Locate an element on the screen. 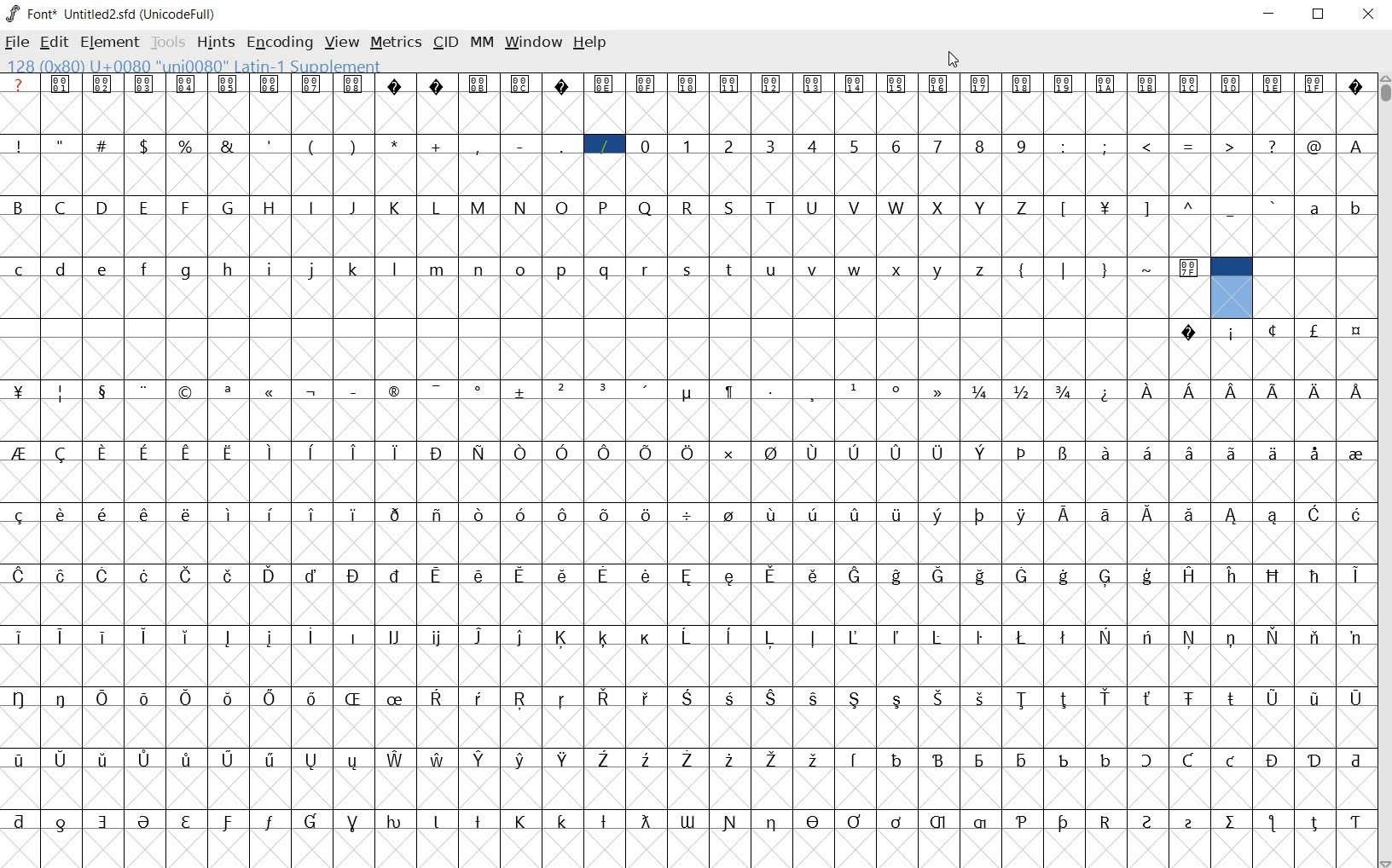 The width and height of the screenshot is (1392, 868). u is located at coordinates (774, 270).